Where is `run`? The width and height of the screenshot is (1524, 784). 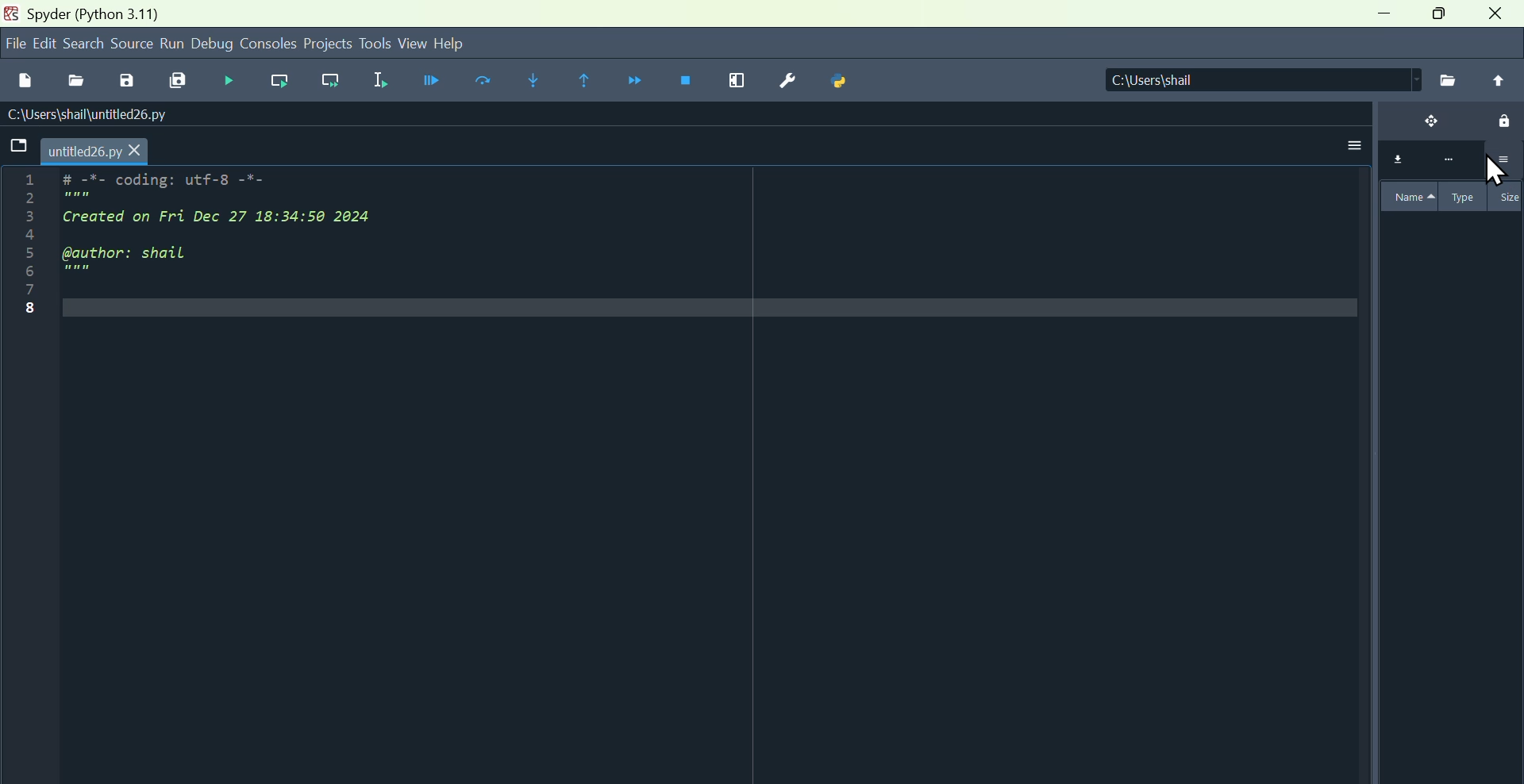
run is located at coordinates (172, 44).